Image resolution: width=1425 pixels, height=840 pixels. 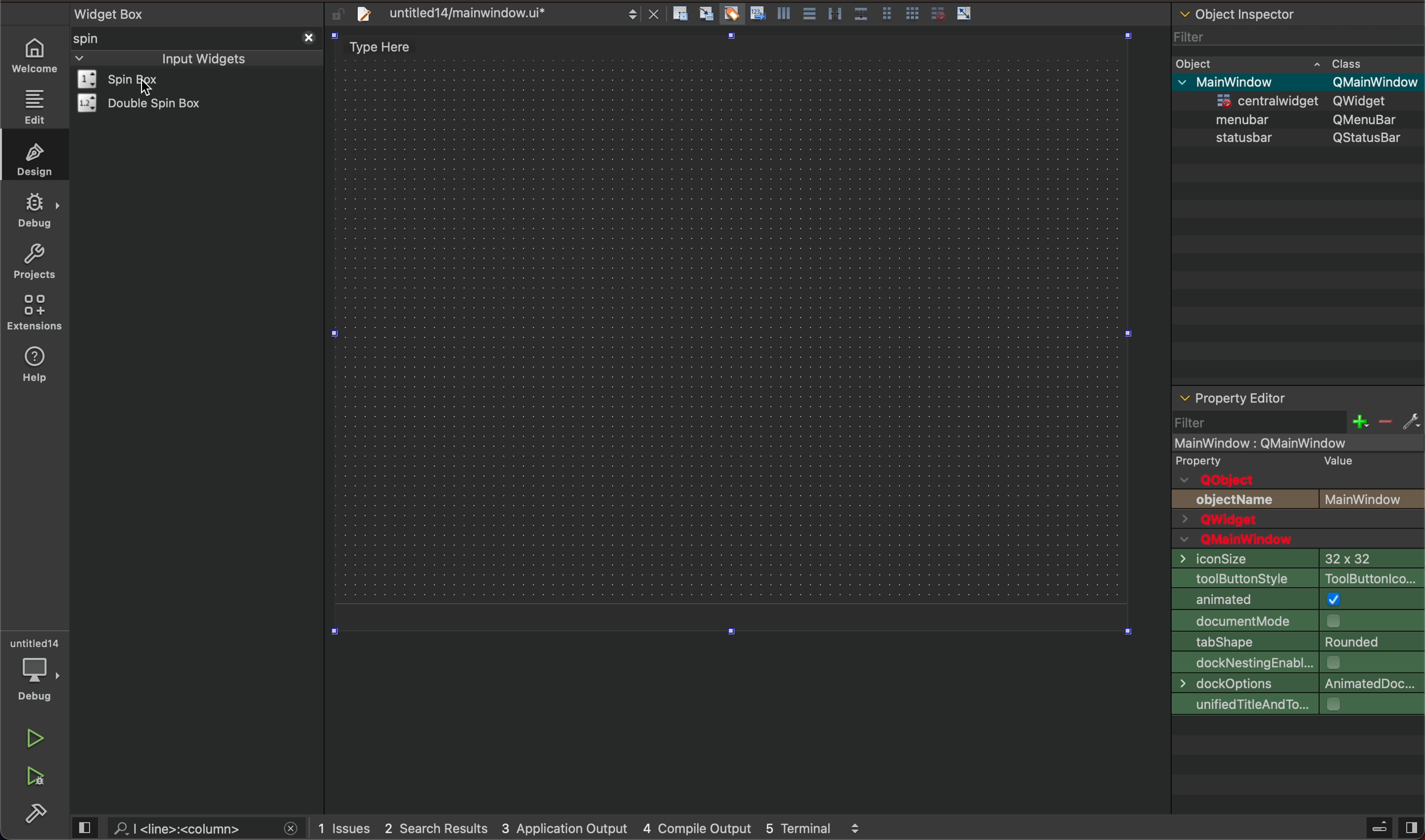 What do you see at coordinates (1213, 460) in the screenshot?
I see `text` at bounding box center [1213, 460].